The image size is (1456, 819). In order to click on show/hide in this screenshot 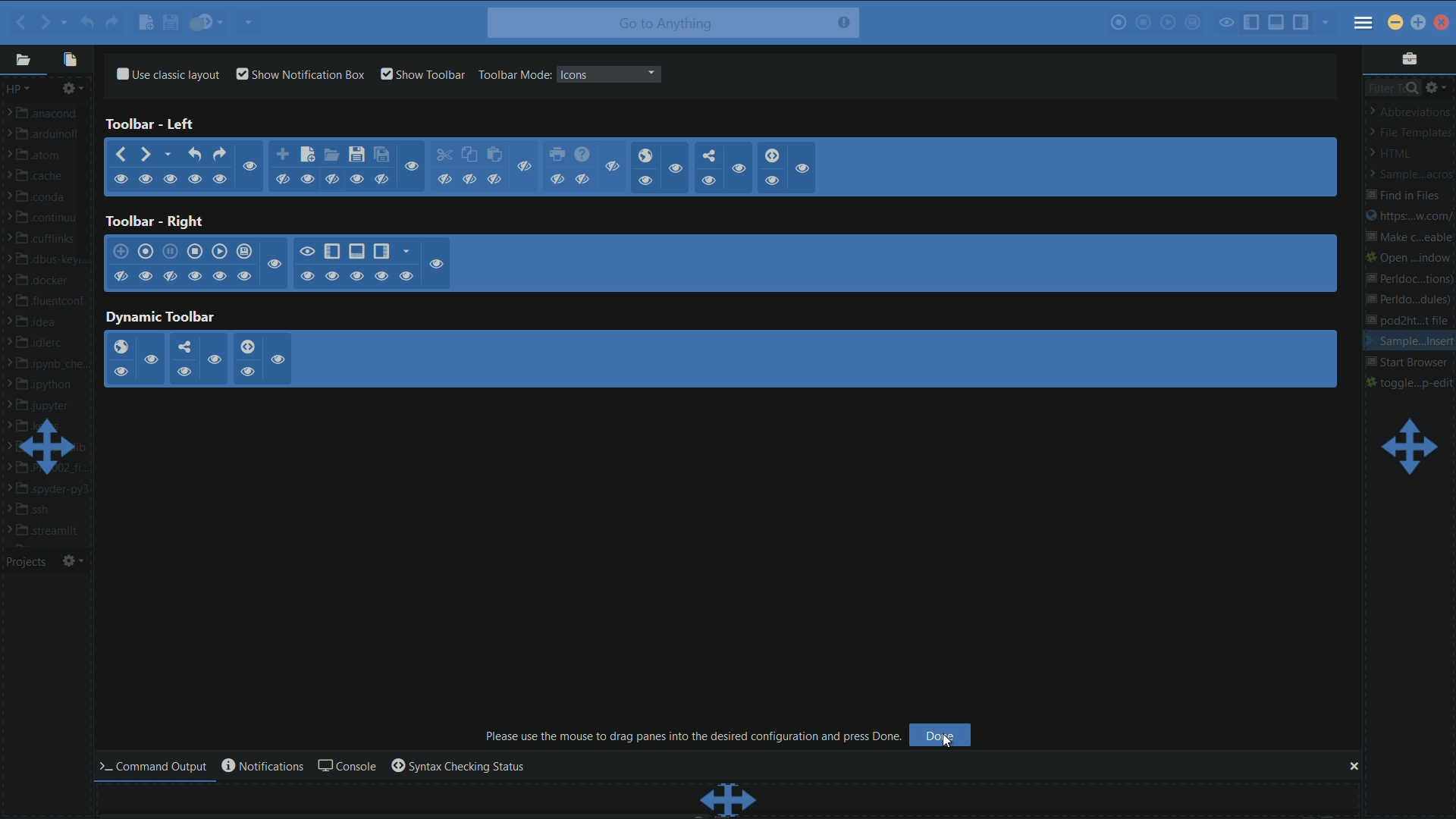, I will do `click(249, 167)`.